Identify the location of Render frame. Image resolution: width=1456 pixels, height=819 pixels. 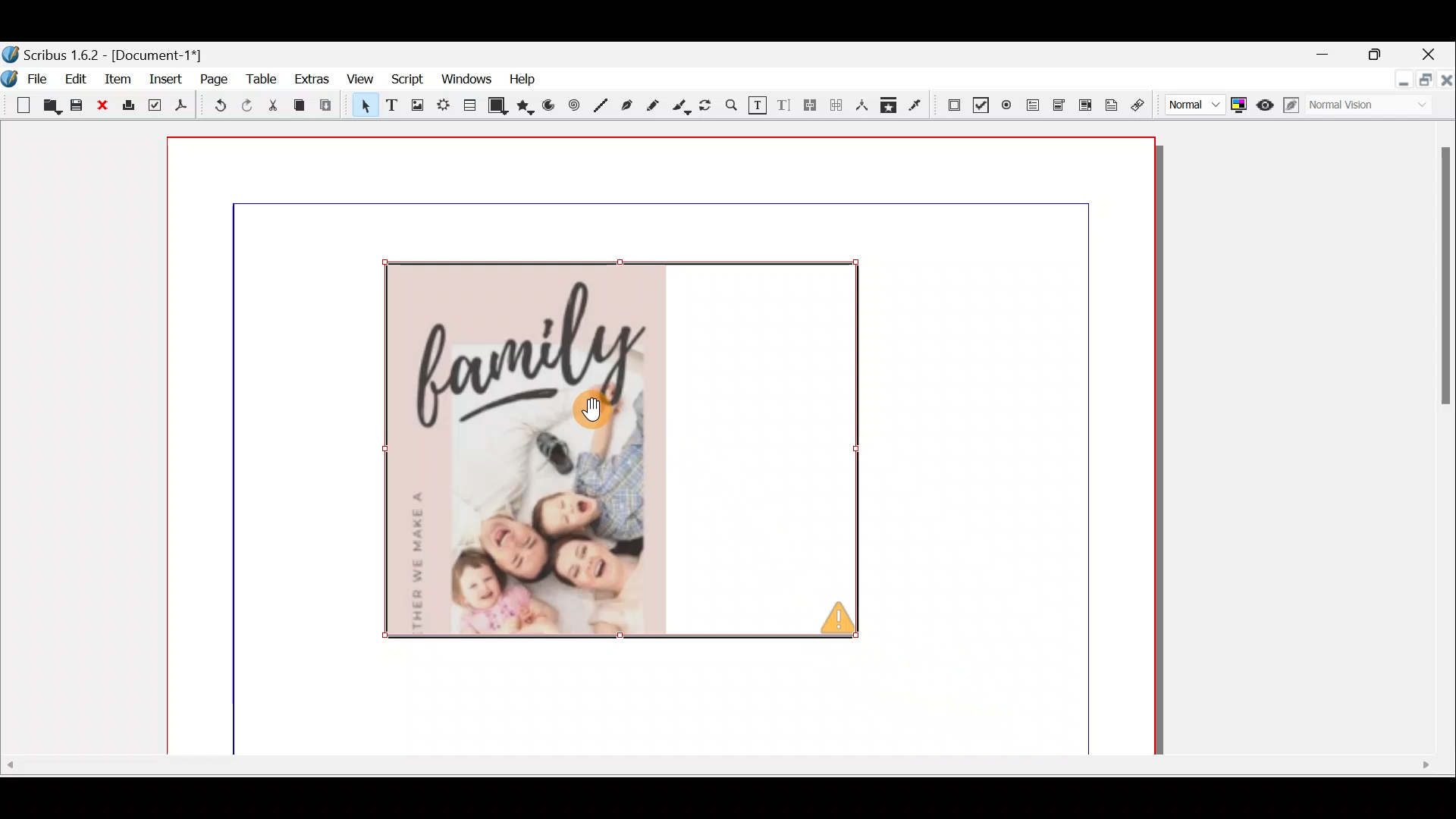
(443, 108).